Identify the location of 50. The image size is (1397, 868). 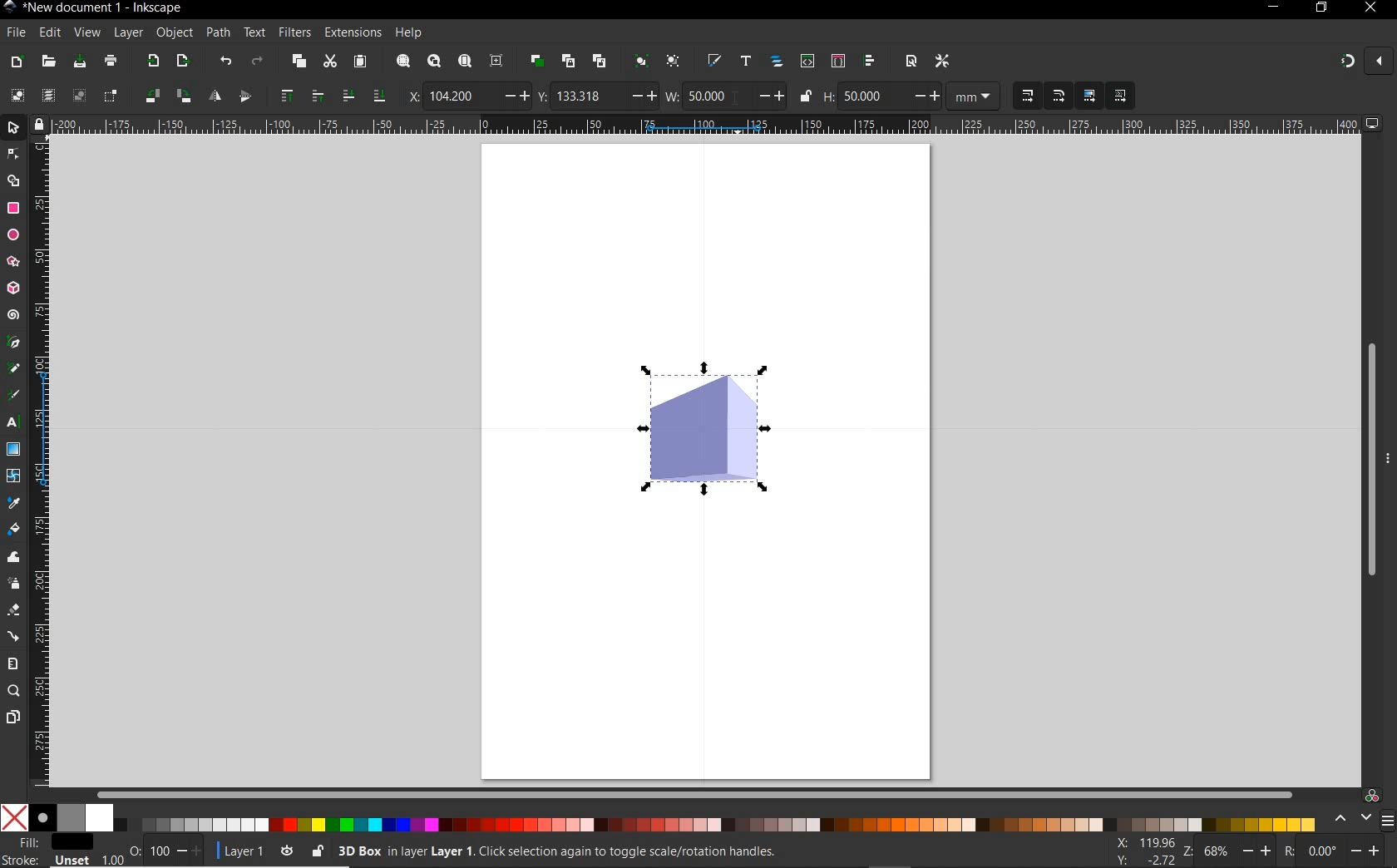
(871, 96).